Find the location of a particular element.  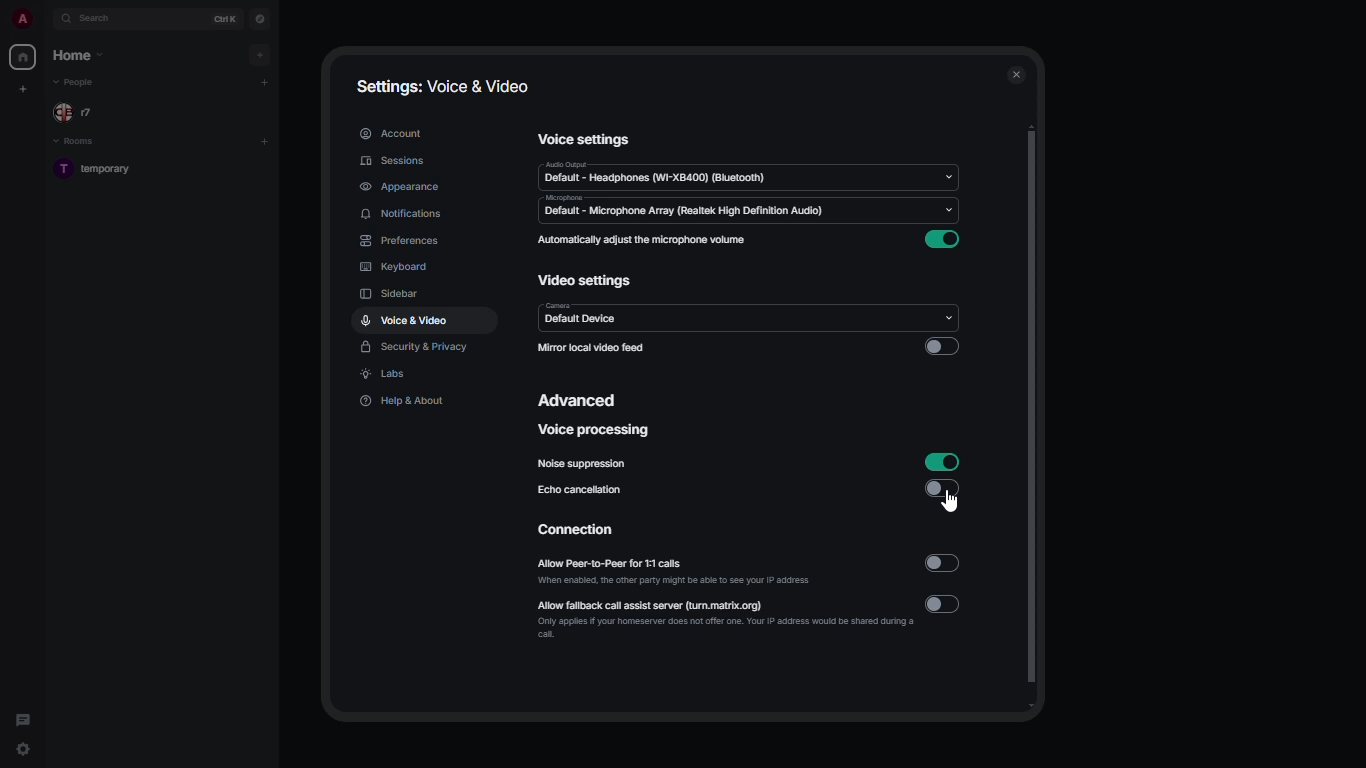

audio default is located at coordinates (658, 173).